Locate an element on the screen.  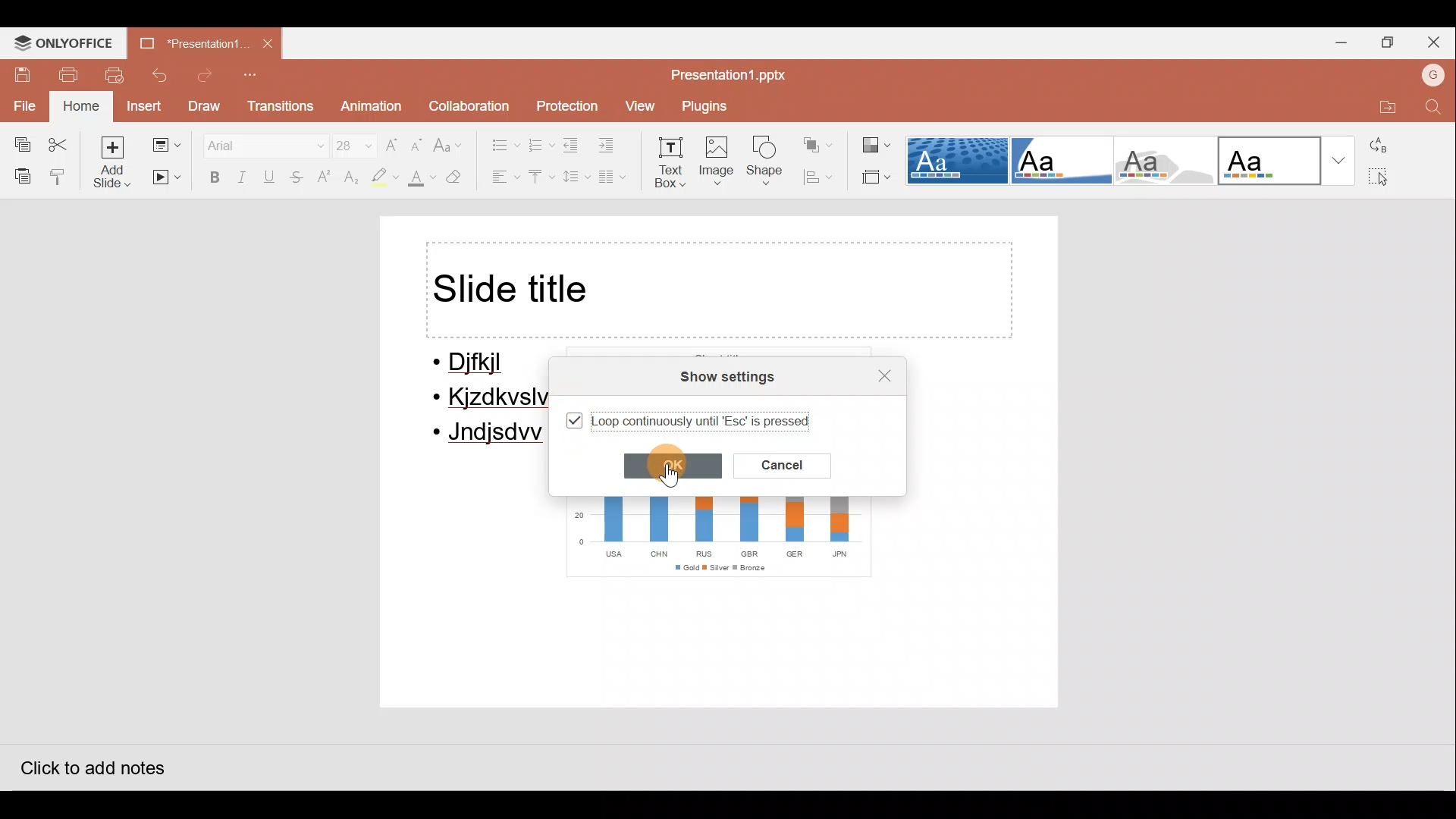
Superscript is located at coordinates (323, 178).